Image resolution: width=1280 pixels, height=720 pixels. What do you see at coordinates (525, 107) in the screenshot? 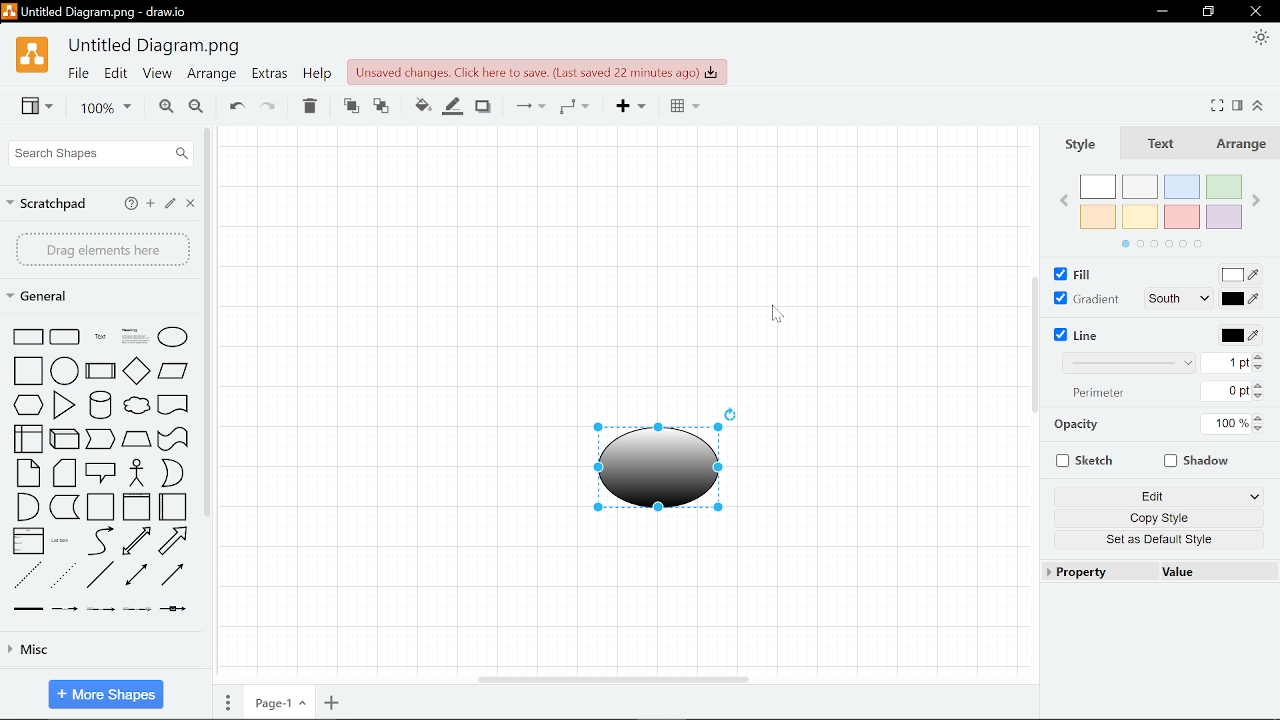
I see `Connections` at bounding box center [525, 107].